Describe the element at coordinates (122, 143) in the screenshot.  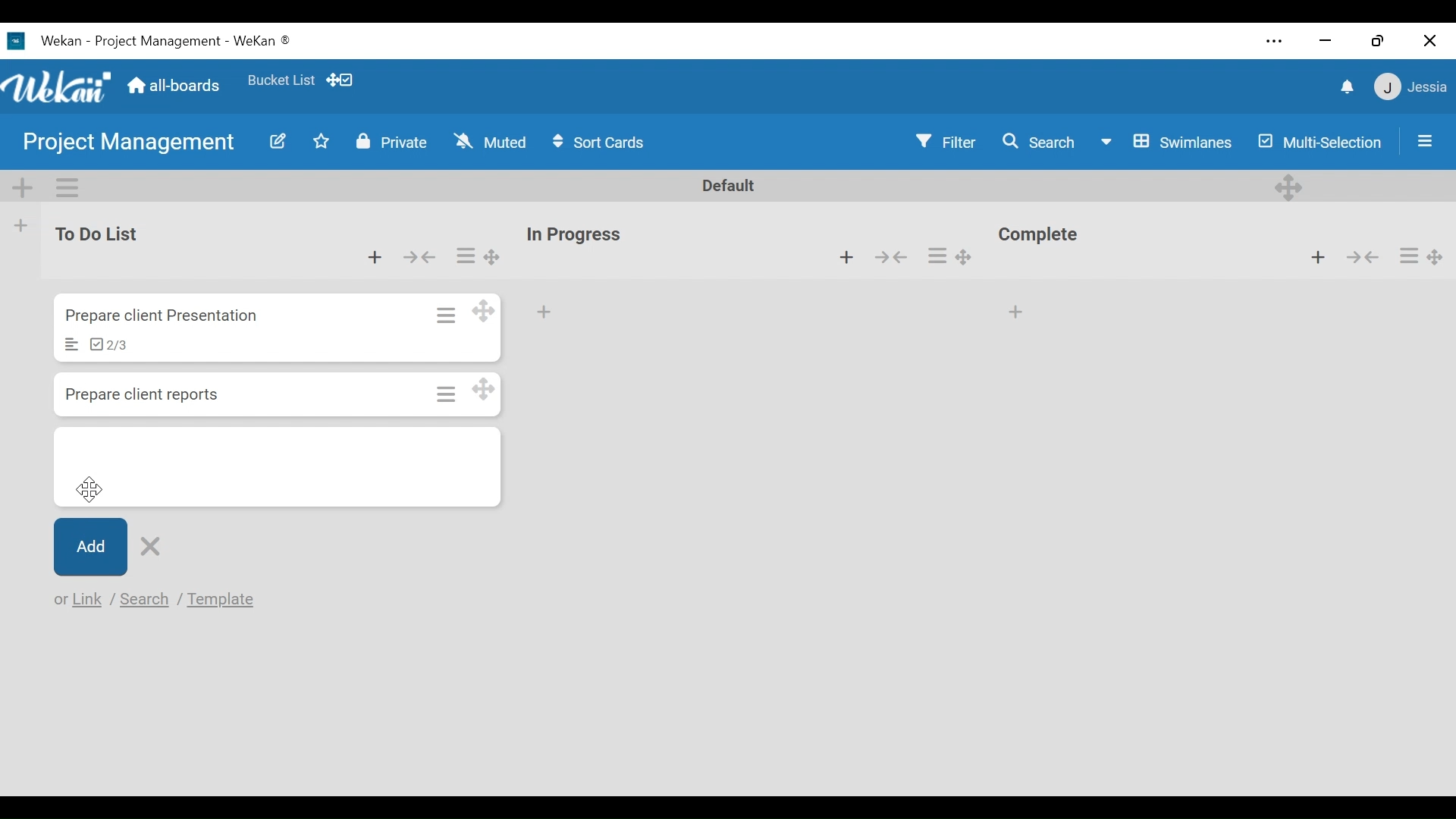
I see `Project management` at that location.